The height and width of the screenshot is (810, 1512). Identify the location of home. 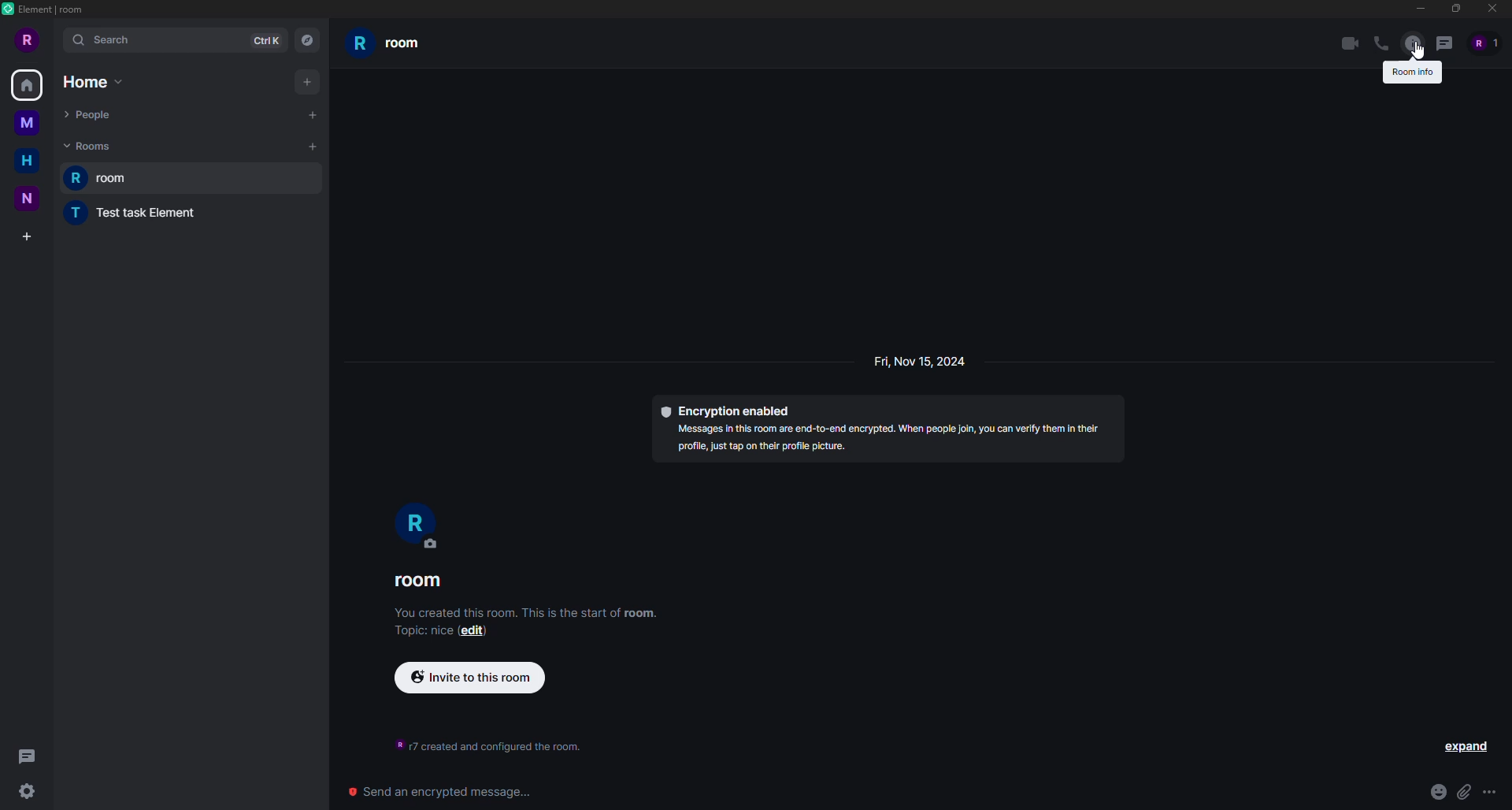
(93, 83).